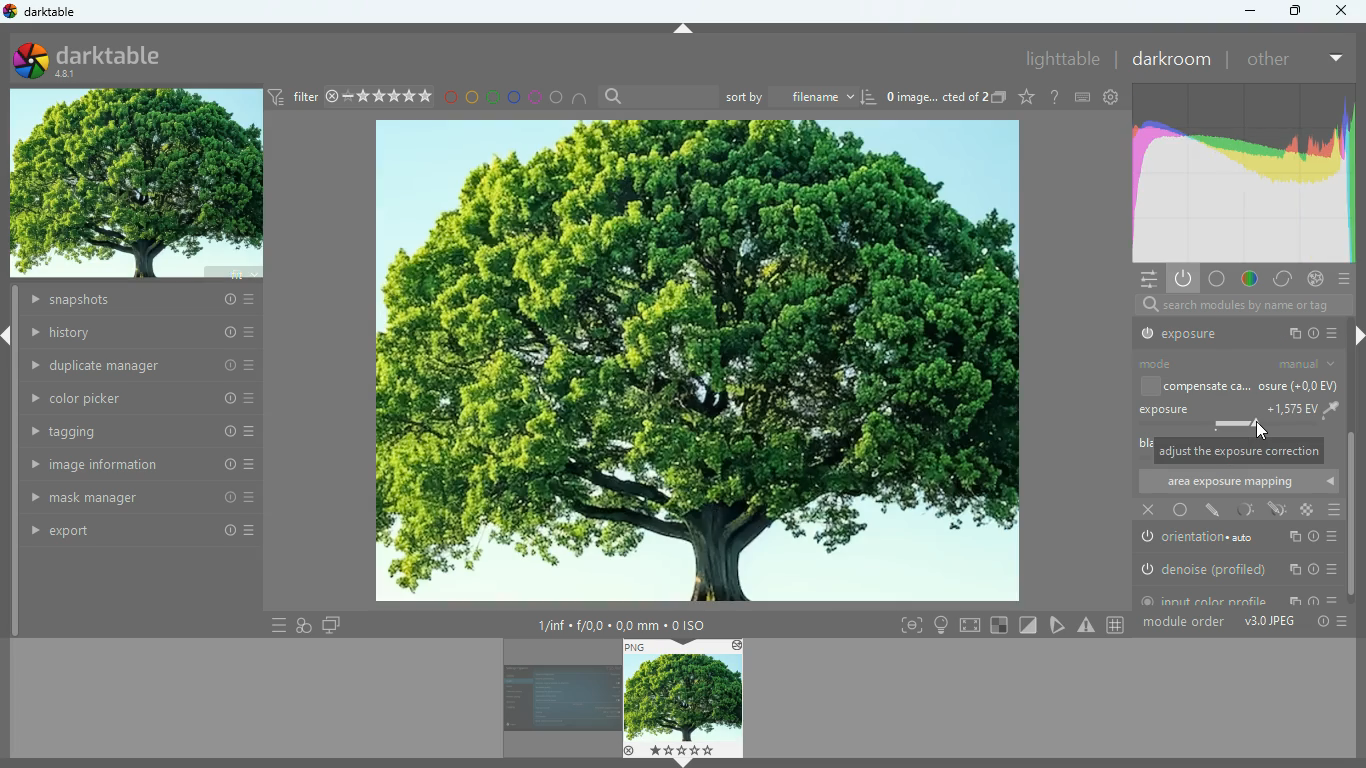 The height and width of the screenshot is (768, 1366). What do you see at coordinates (1251, 13) in the screenshot?
I see `minimize` at bounding box center [1251, 13].